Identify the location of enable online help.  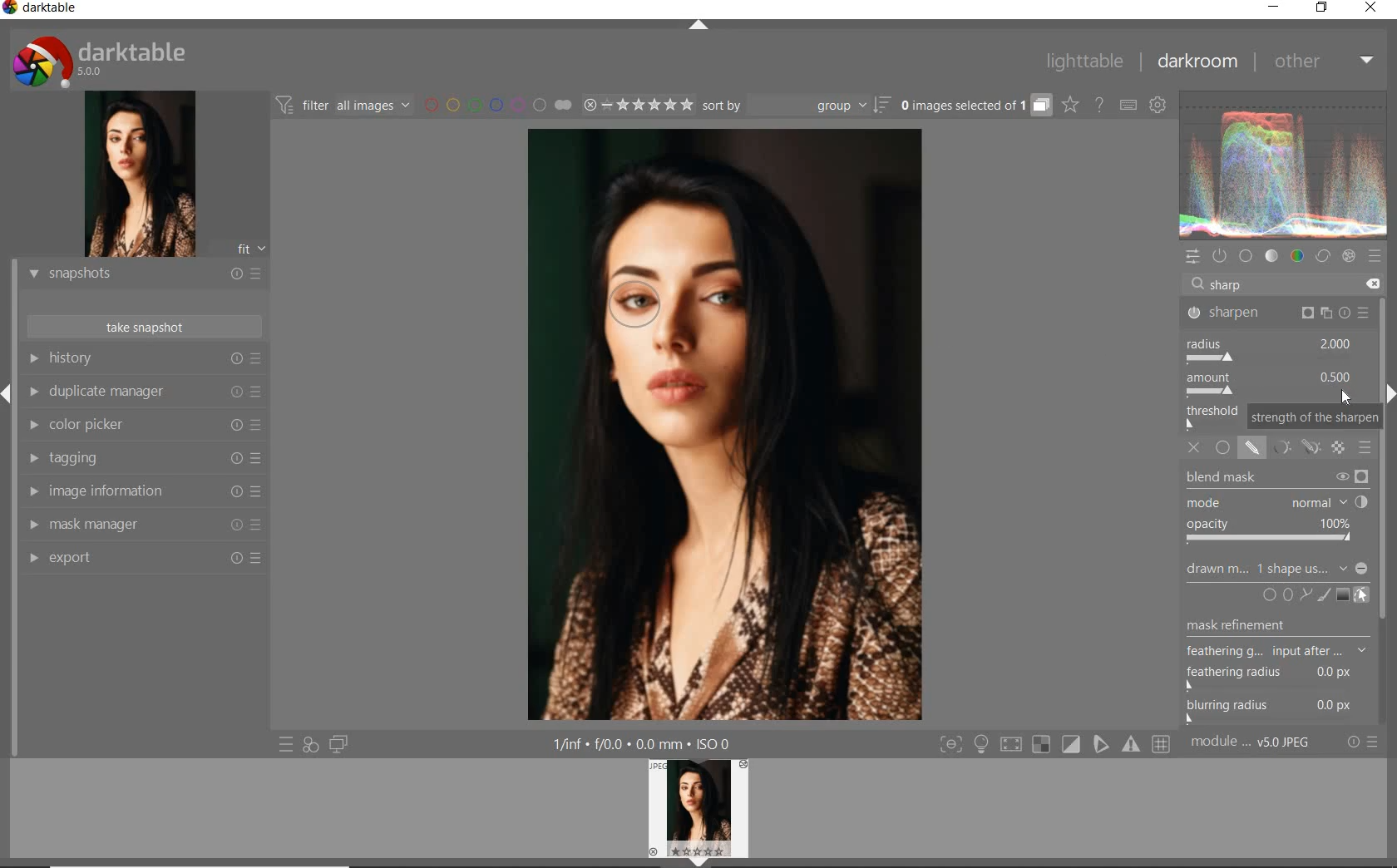
(1099, 106).